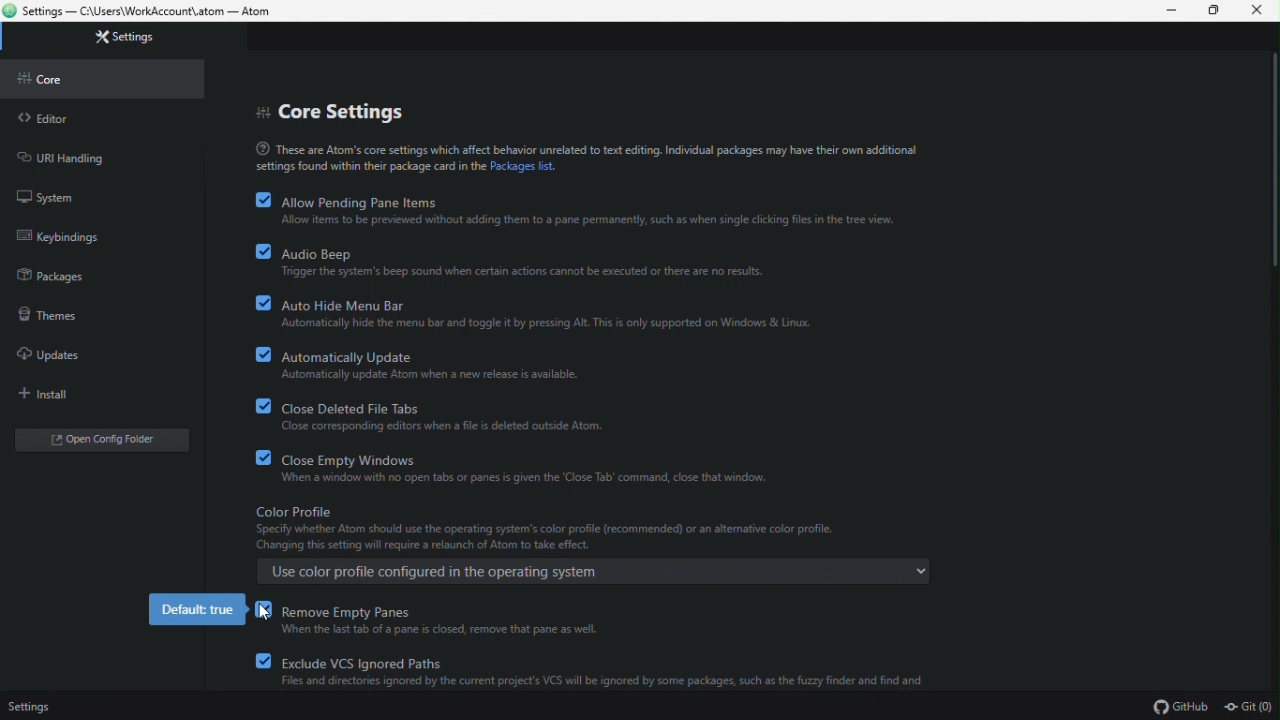  What do you see at coordinates (589, 544) in the screenshot?
I see ` color profile` at bounding box center [589, 544].